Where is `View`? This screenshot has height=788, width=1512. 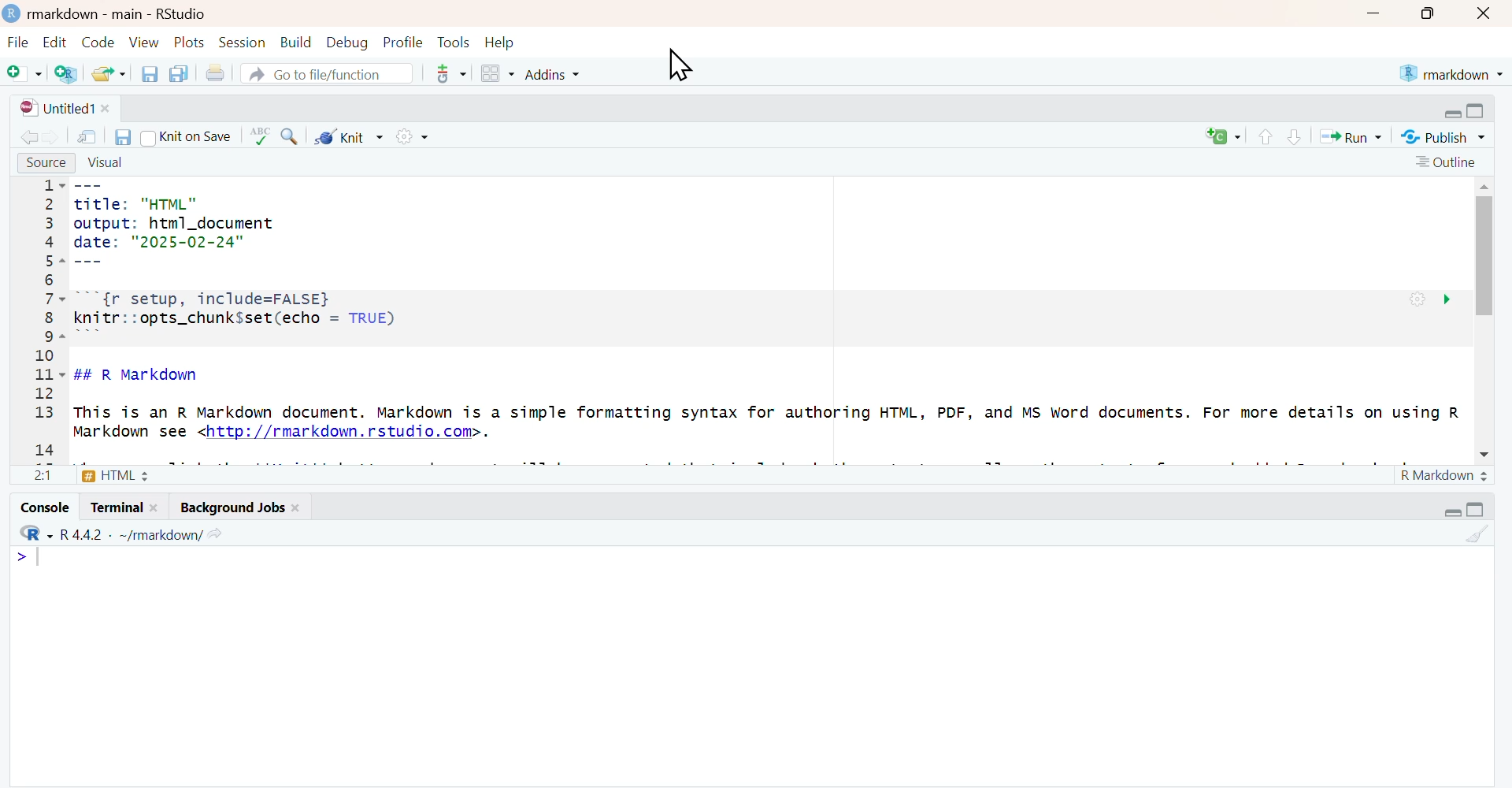
View is located at coordinates (144, 42).